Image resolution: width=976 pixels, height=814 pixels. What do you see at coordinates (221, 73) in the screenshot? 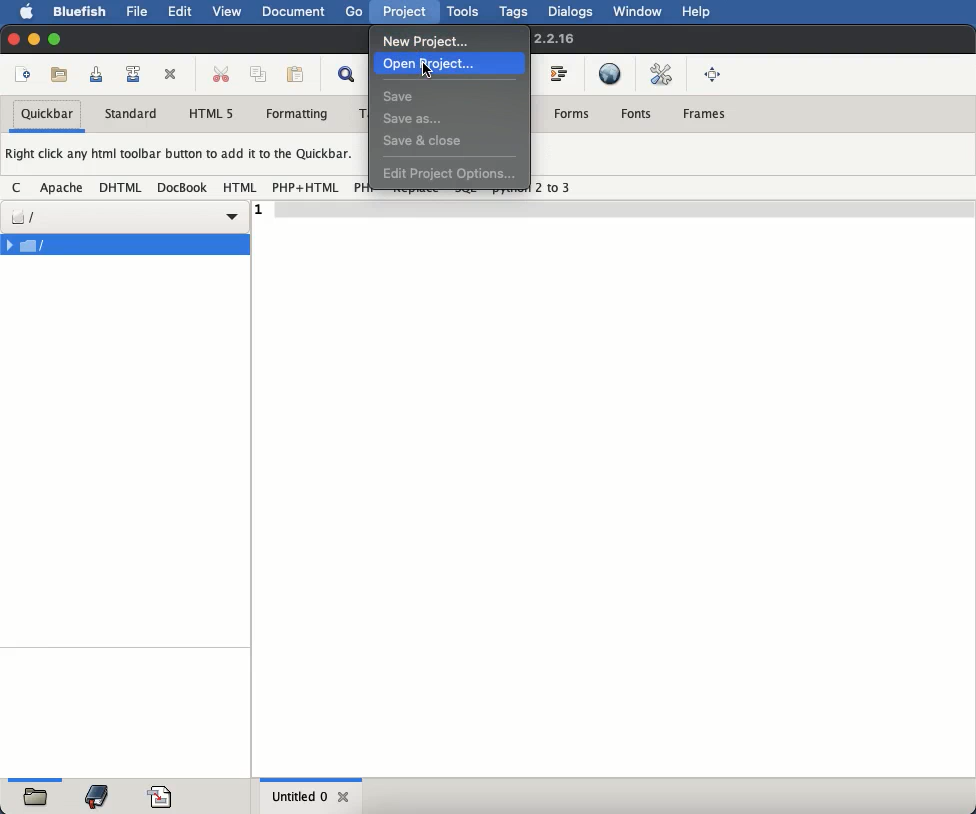
I see `cut` at bounding box center [221, 73].